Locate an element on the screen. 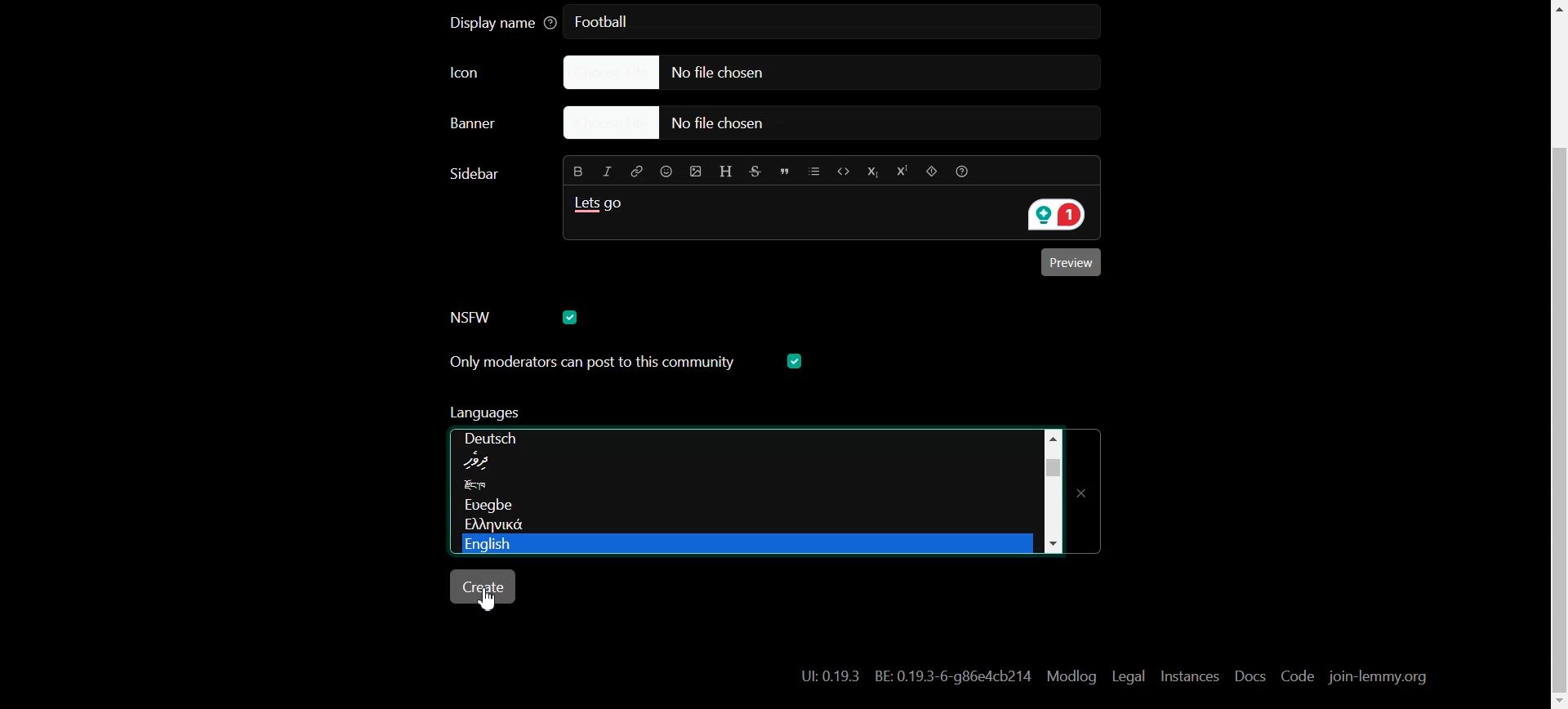 The image size is (1568, 709). Display name is located at coordinates (503, 24).